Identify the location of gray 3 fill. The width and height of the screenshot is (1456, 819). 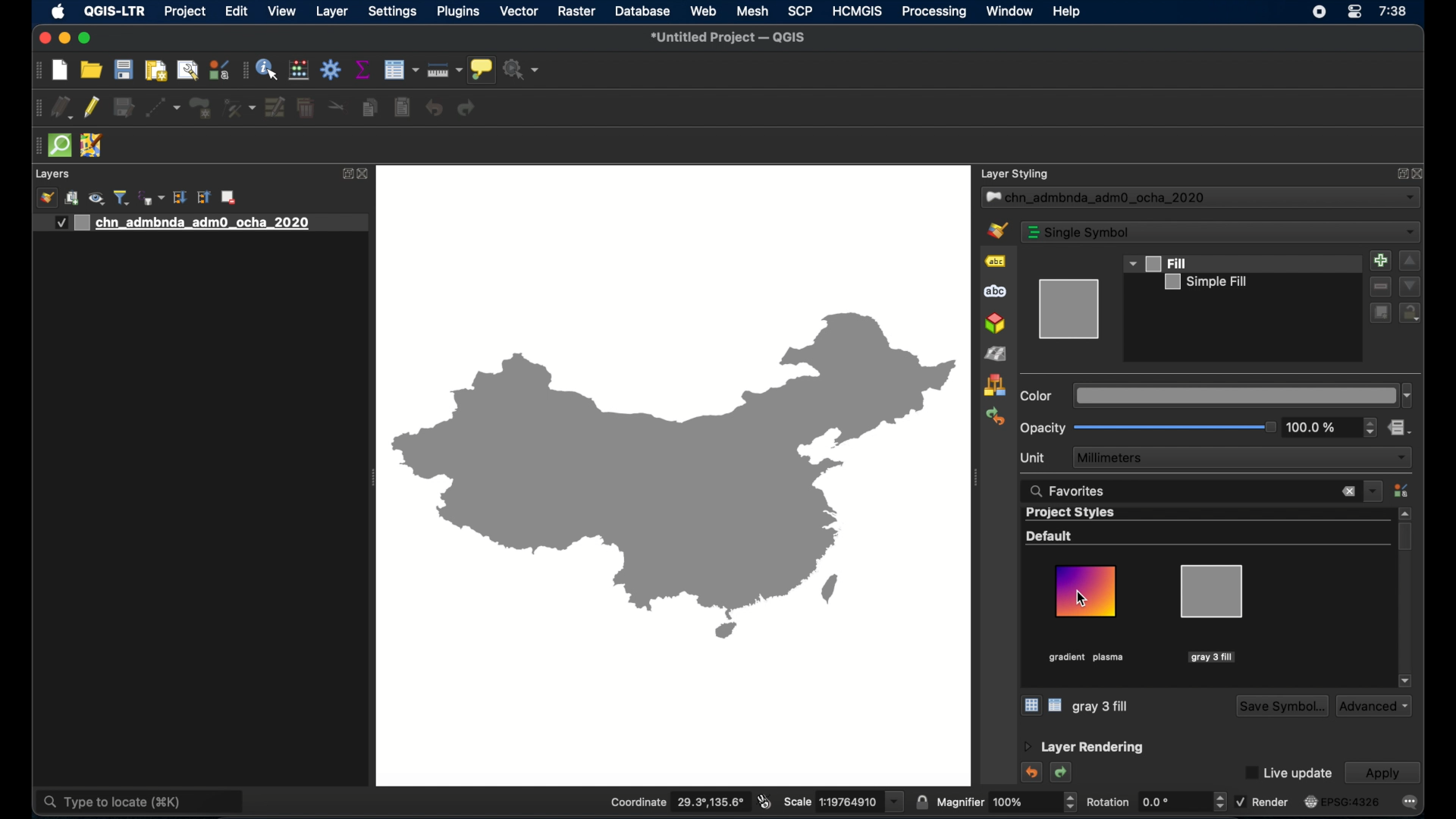
(1101, 707).